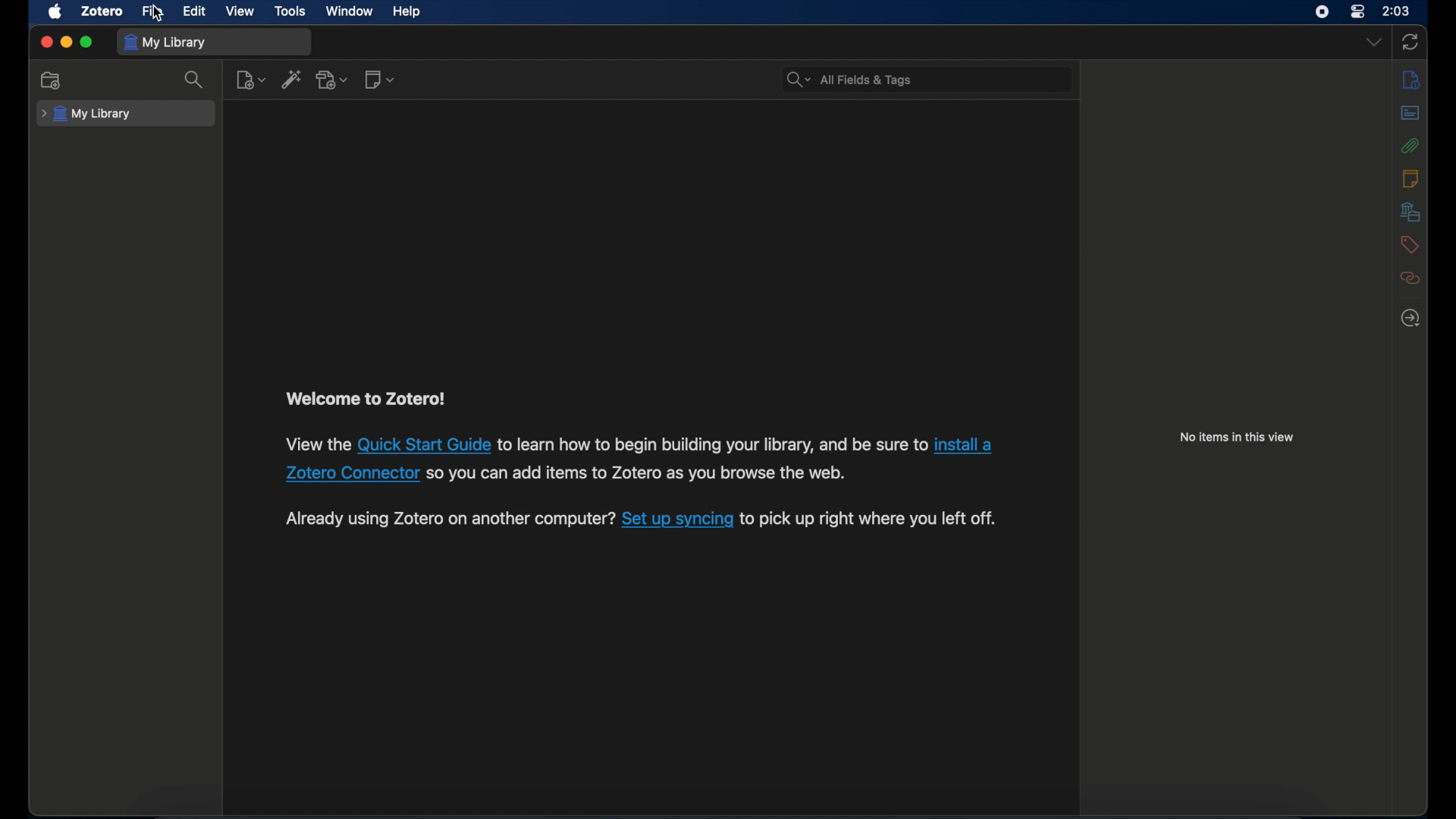 This screenshot has height=819, width=1456. I want to click on zotero, so click(102, 11).